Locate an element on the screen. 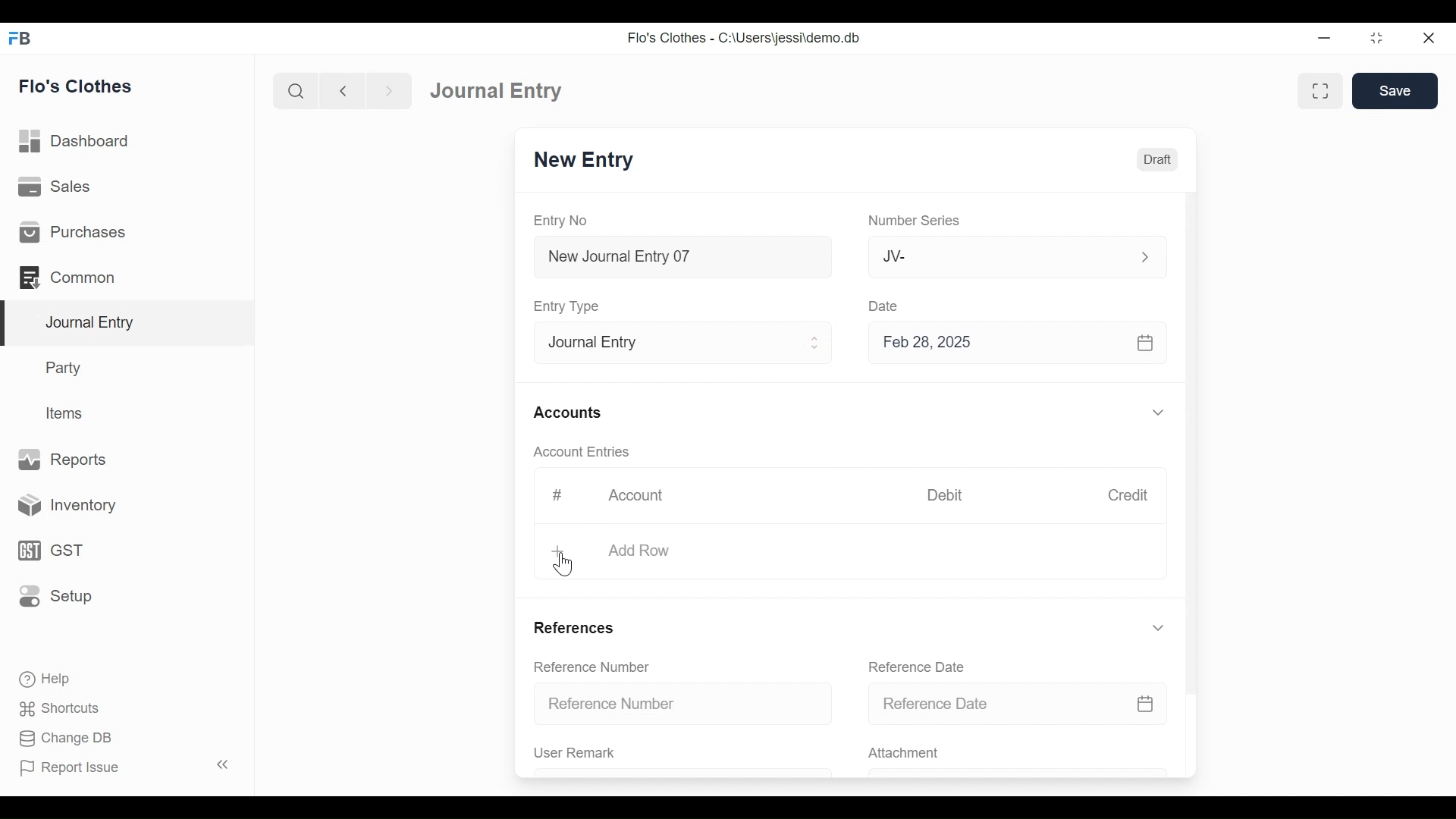 The width and height of the screenshot is (1456, 819). Items is located at coordinates (67, 413).